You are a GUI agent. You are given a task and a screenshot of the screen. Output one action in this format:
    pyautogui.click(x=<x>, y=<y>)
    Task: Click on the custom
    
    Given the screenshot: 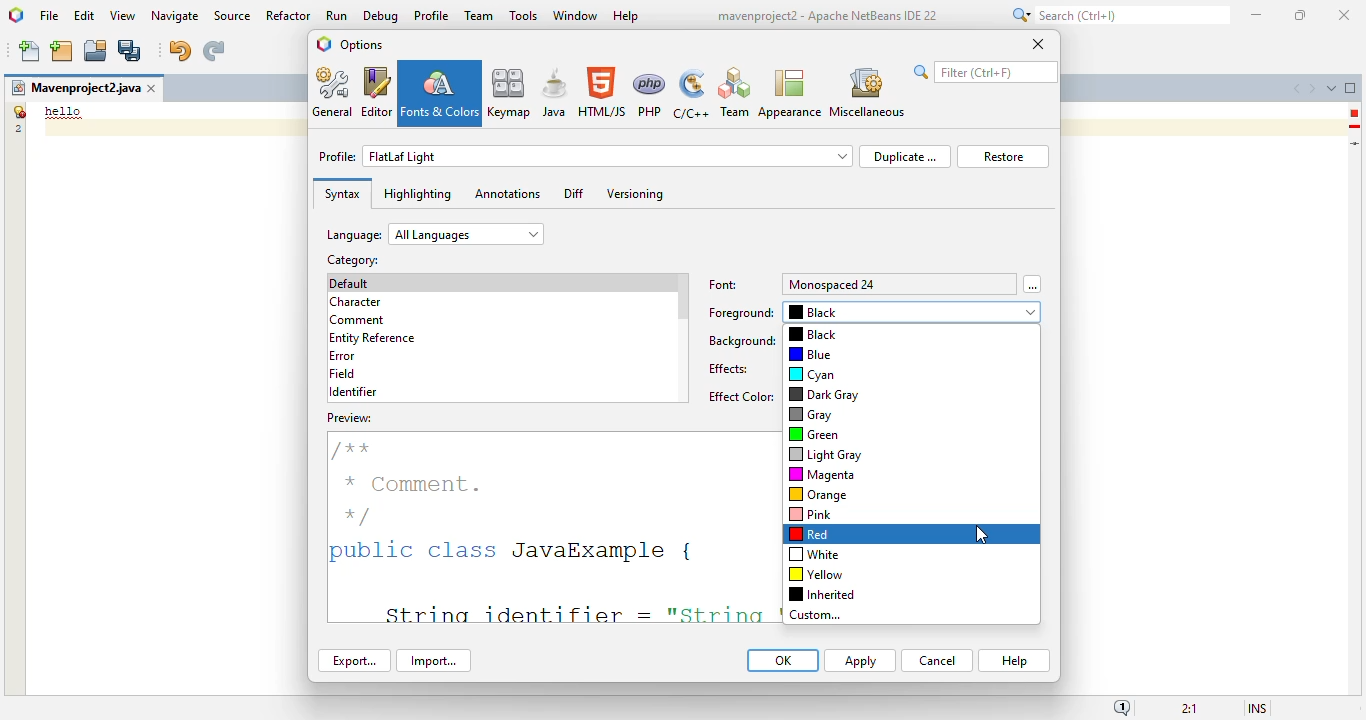 What is the action you would take?
    pyautogui.click(x=815, y=616)
    